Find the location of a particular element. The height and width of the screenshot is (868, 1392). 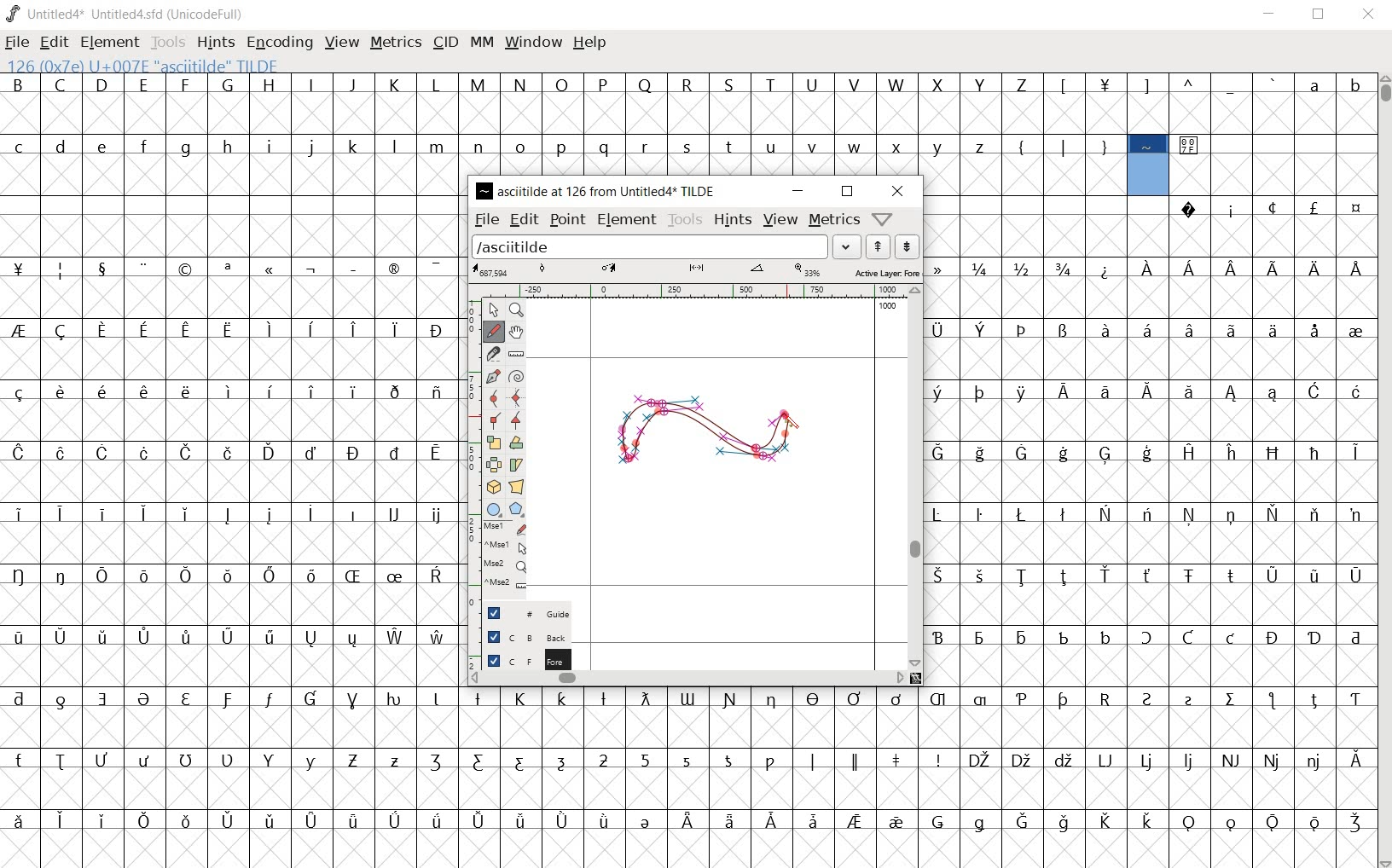

Add a corner point is located at coordinates (515, 421).